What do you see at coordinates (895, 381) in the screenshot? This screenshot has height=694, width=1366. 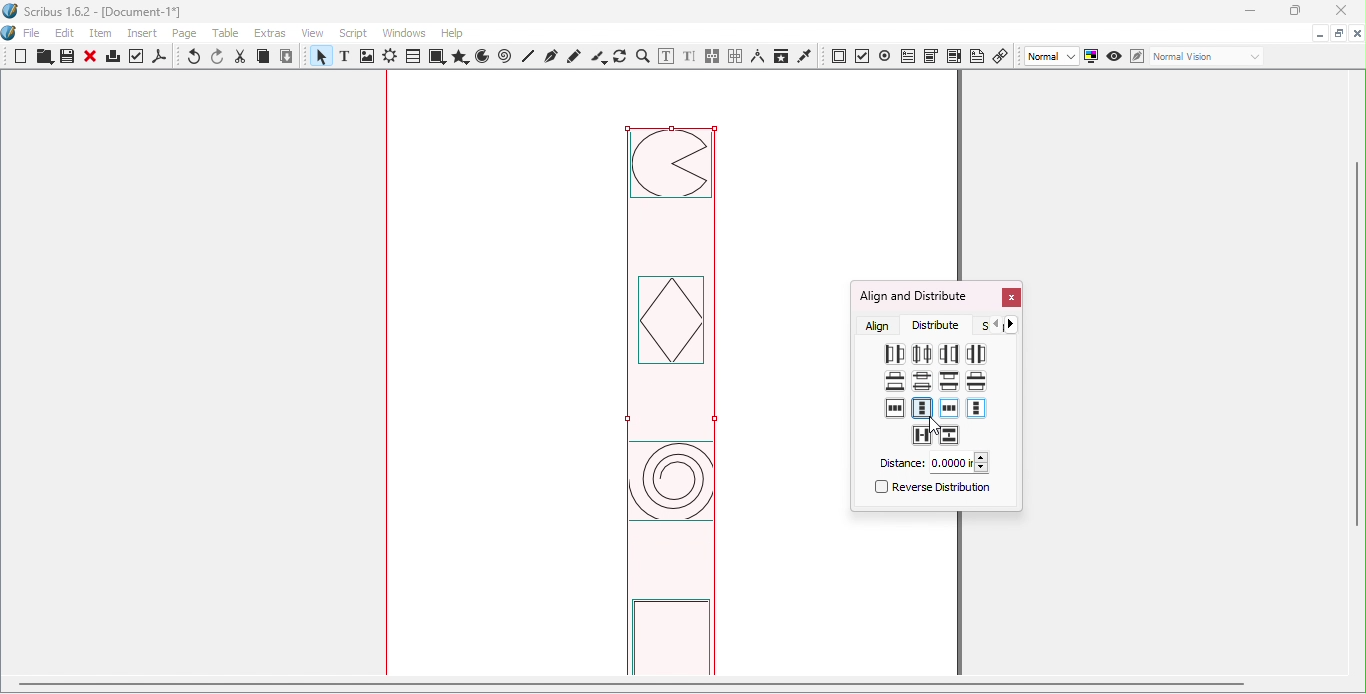 I see `Distribute bottoms equidistantly` at bounding box center [895, 381].